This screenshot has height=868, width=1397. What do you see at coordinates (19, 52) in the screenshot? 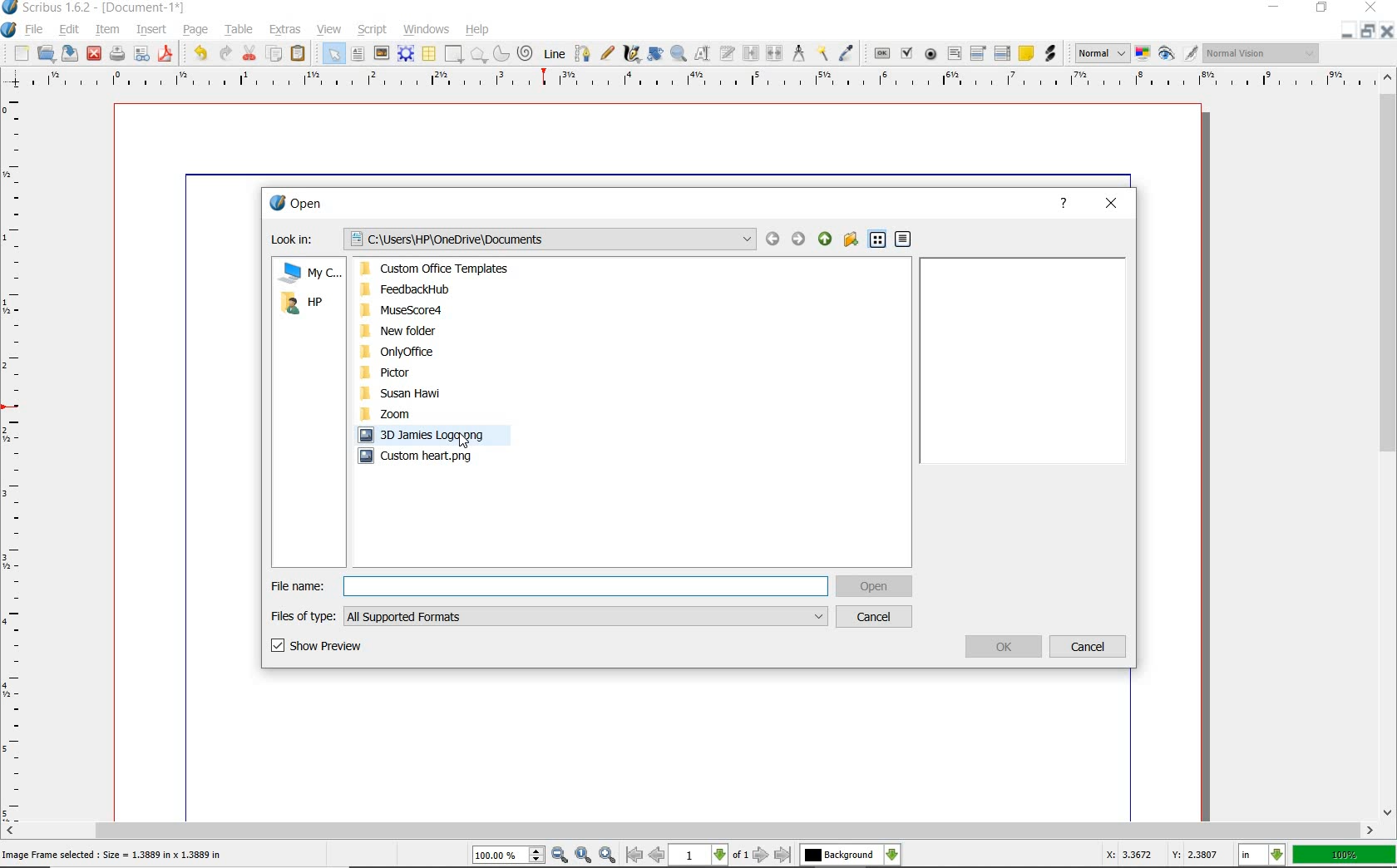
I see `new` at bounding box center [19, 52].